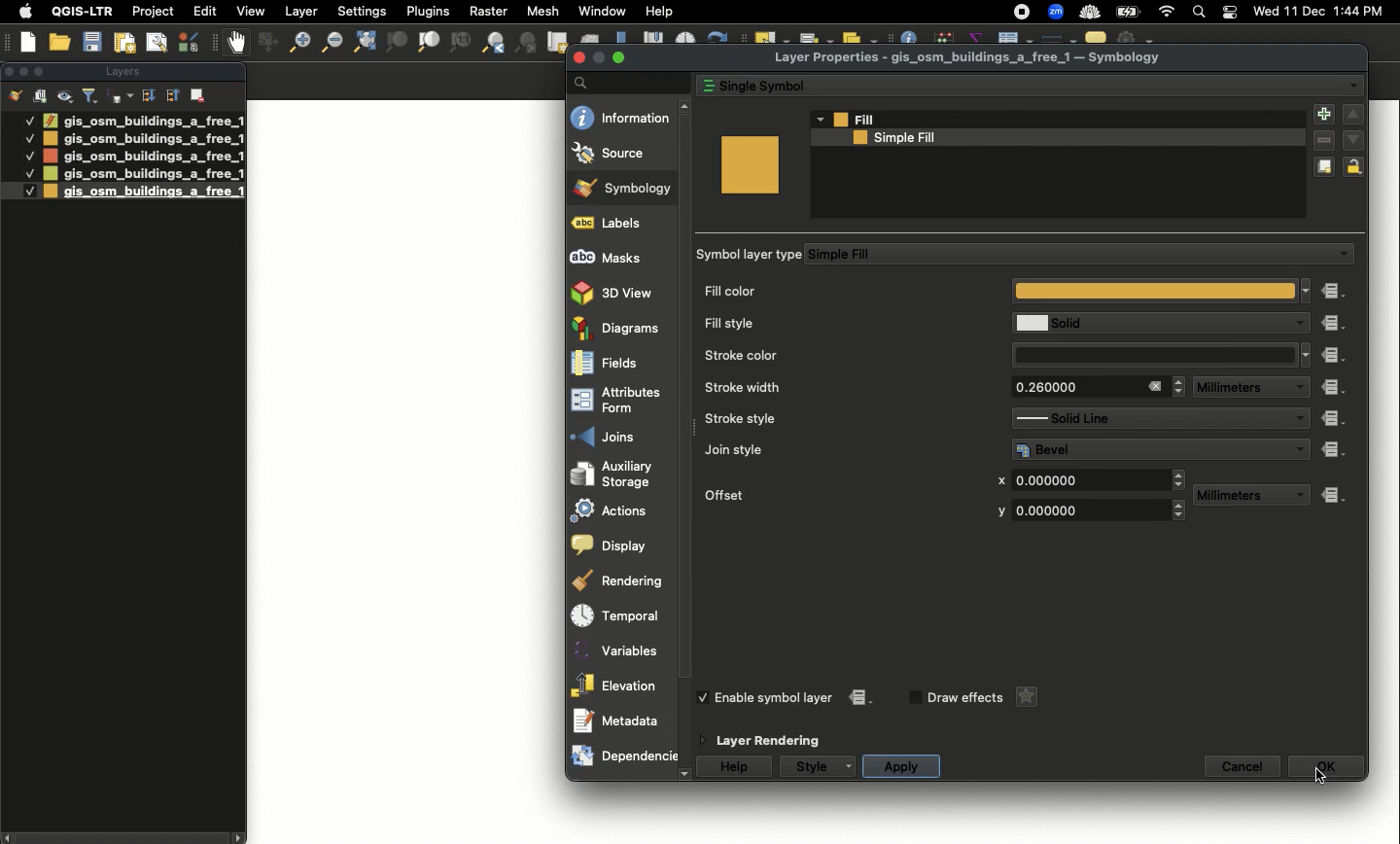  I want to click on Minimize, so click(598, 57).